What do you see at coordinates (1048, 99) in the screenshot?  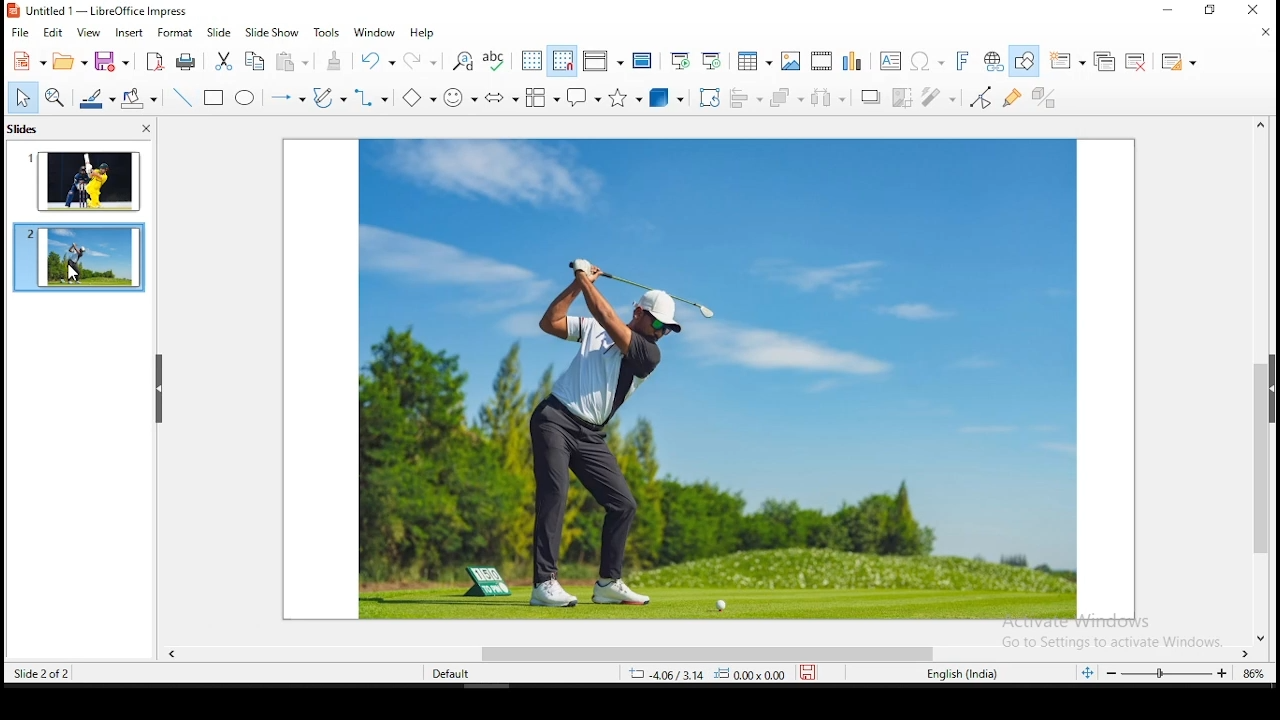 I see `toggle extrusion` at bounding box center [1048, 99].